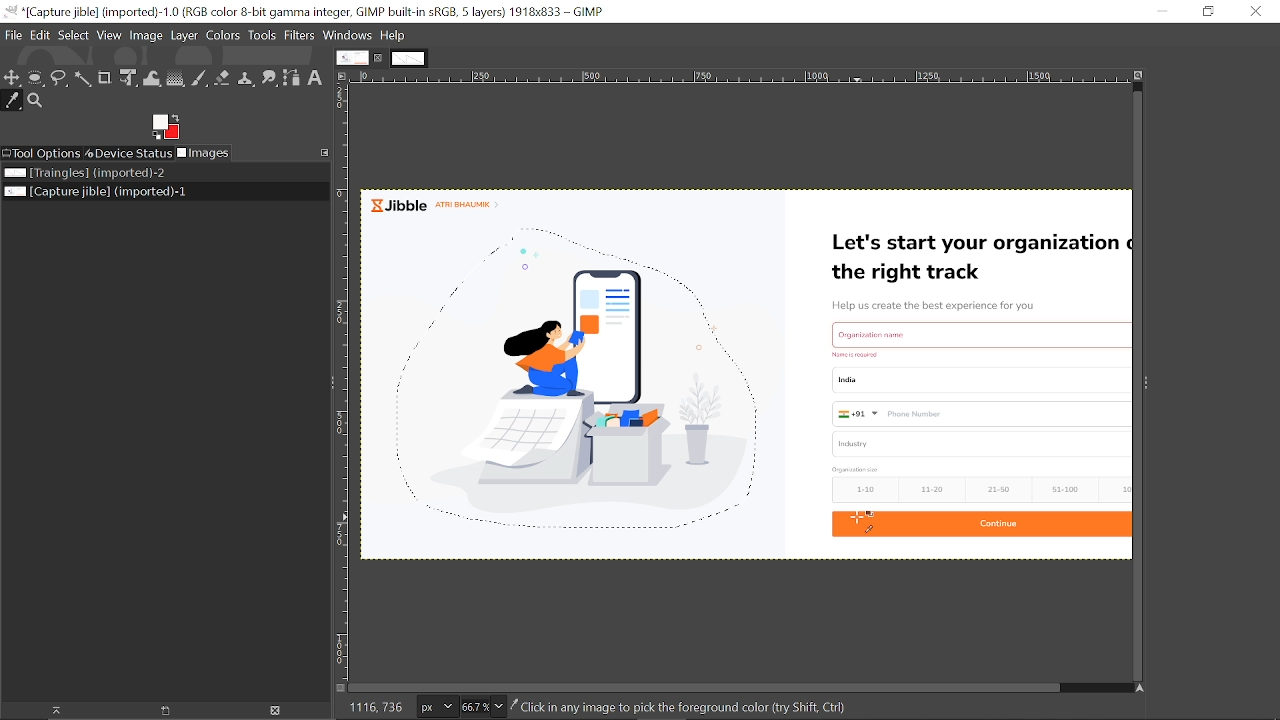 Image resolution: width=1280 pixels, height=720 pixels. Describe the element at coordinates (1256, 12) in the screenshot. I see `Close` at that location.